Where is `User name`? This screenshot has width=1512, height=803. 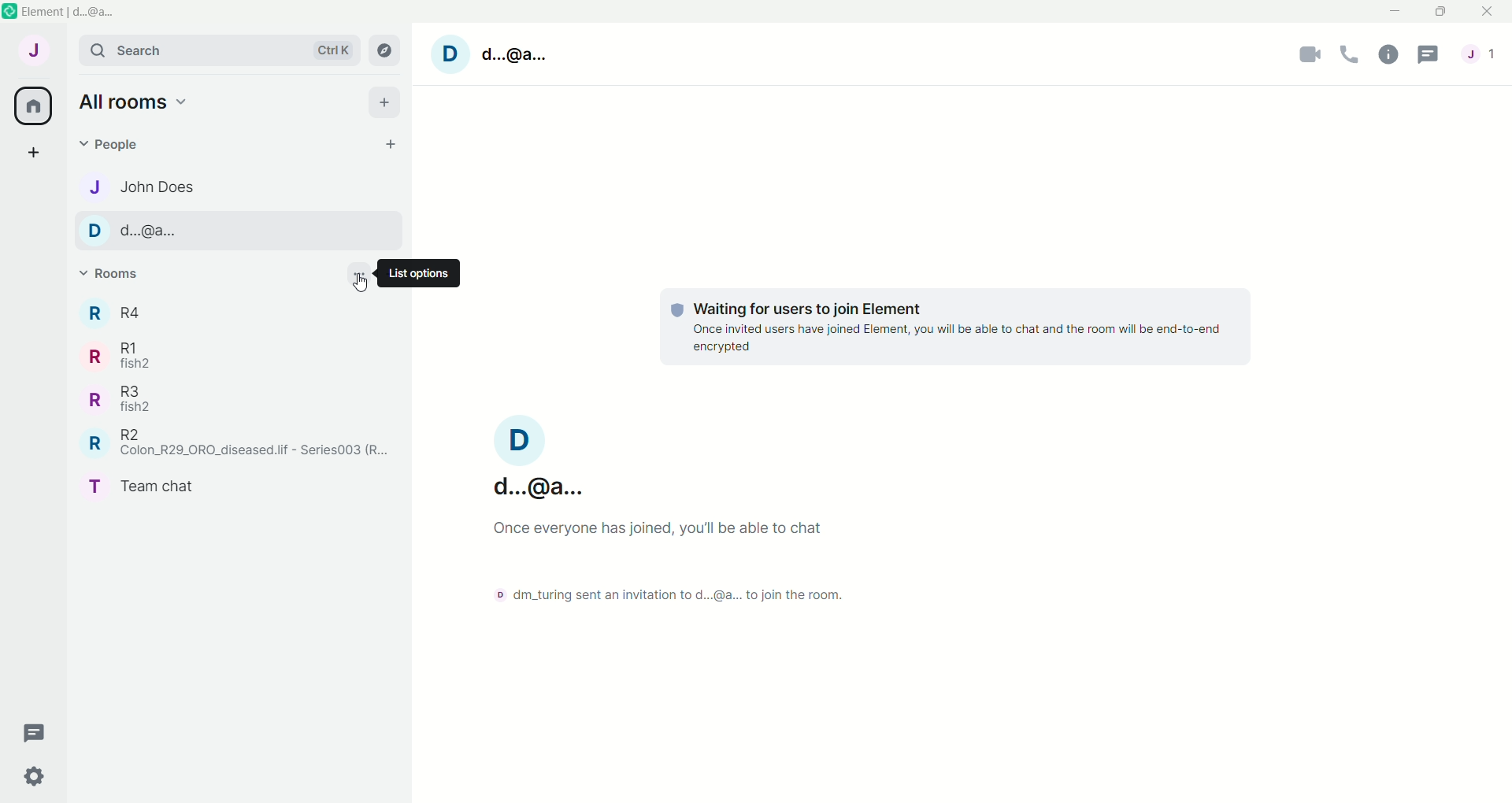 User name is located at coordinates (539, 457).